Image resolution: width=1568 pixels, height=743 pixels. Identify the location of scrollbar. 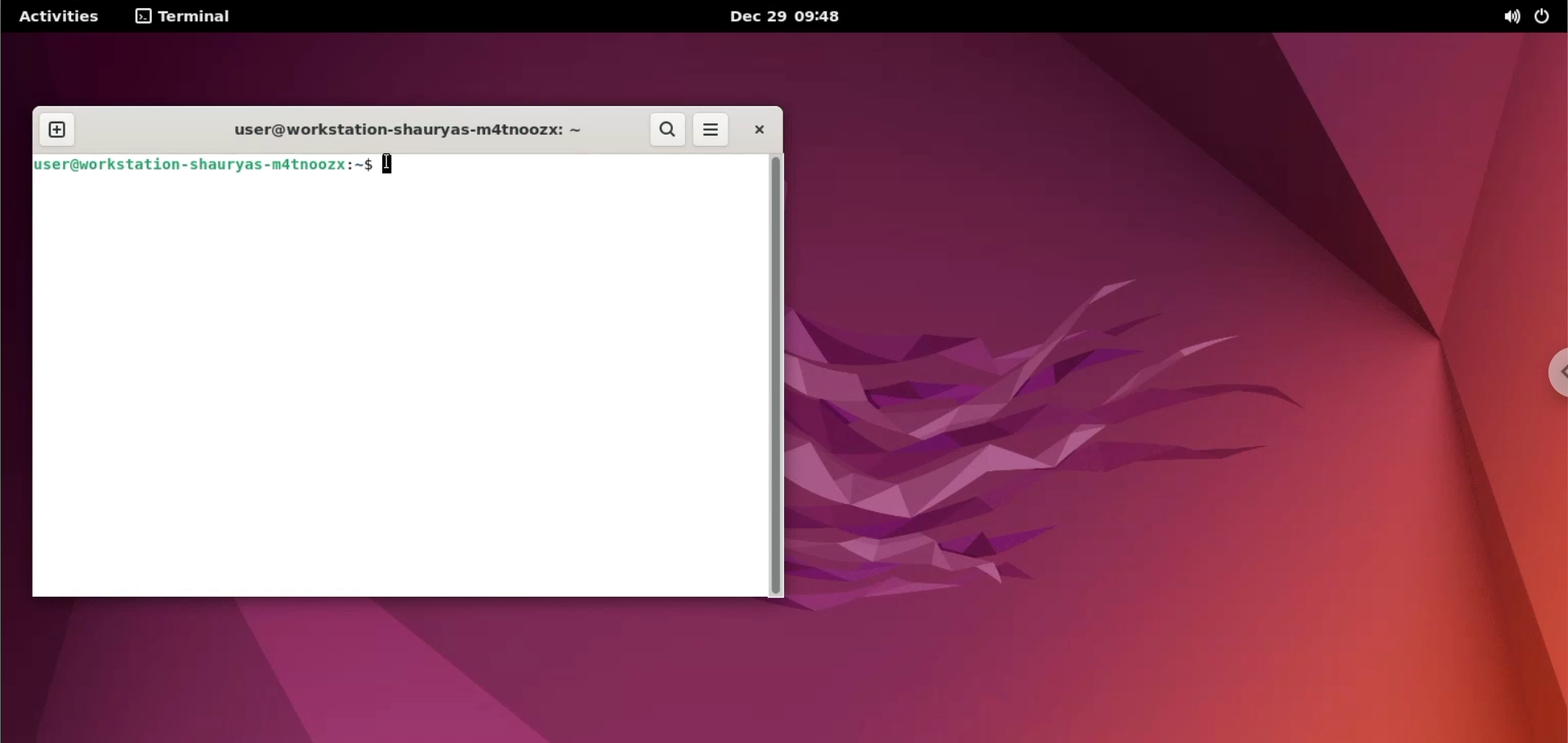
(780, 376).